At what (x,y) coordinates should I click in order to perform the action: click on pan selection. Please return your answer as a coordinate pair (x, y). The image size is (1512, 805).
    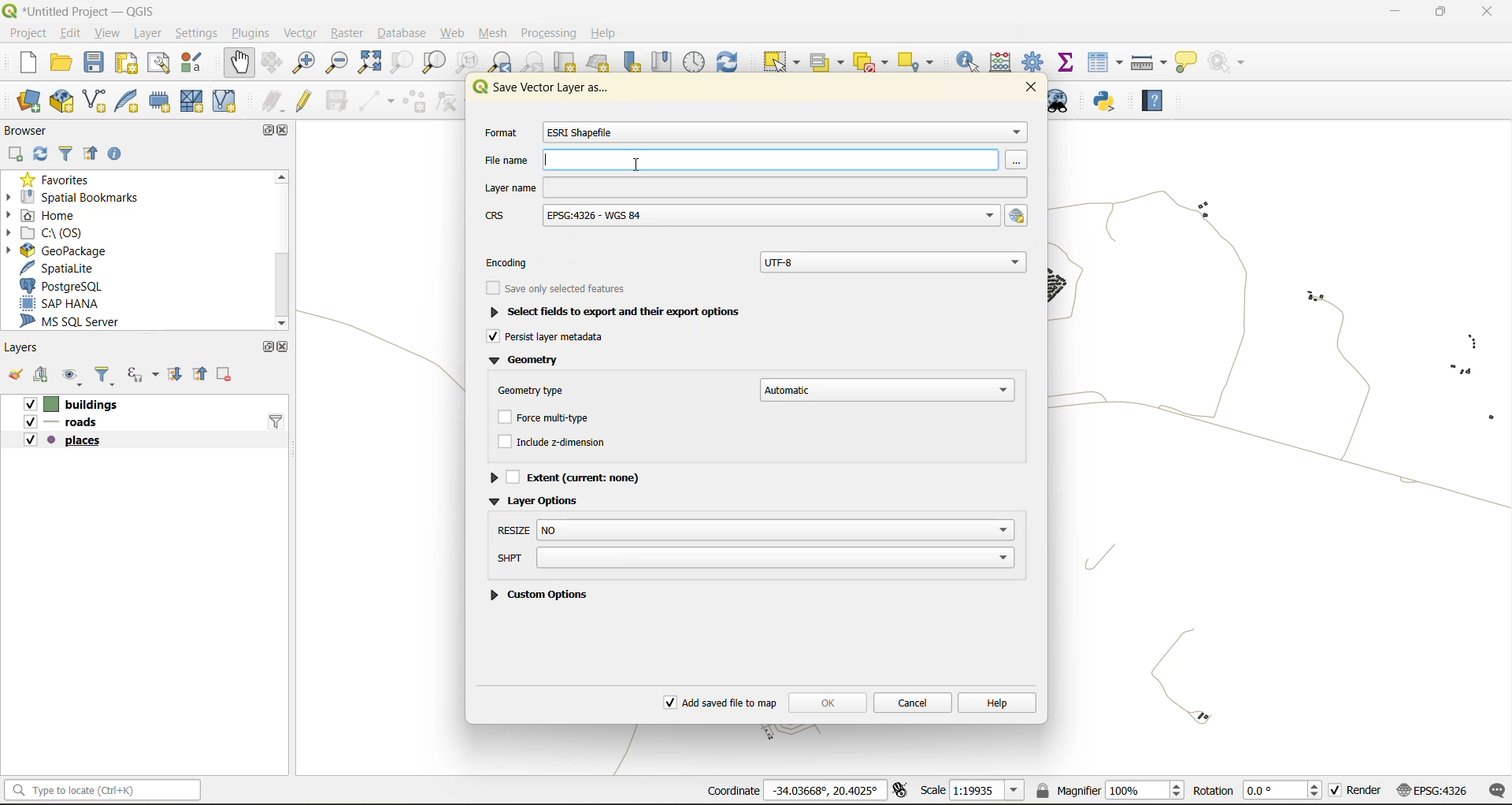
    Looking at the image, I should click on (271, 62).